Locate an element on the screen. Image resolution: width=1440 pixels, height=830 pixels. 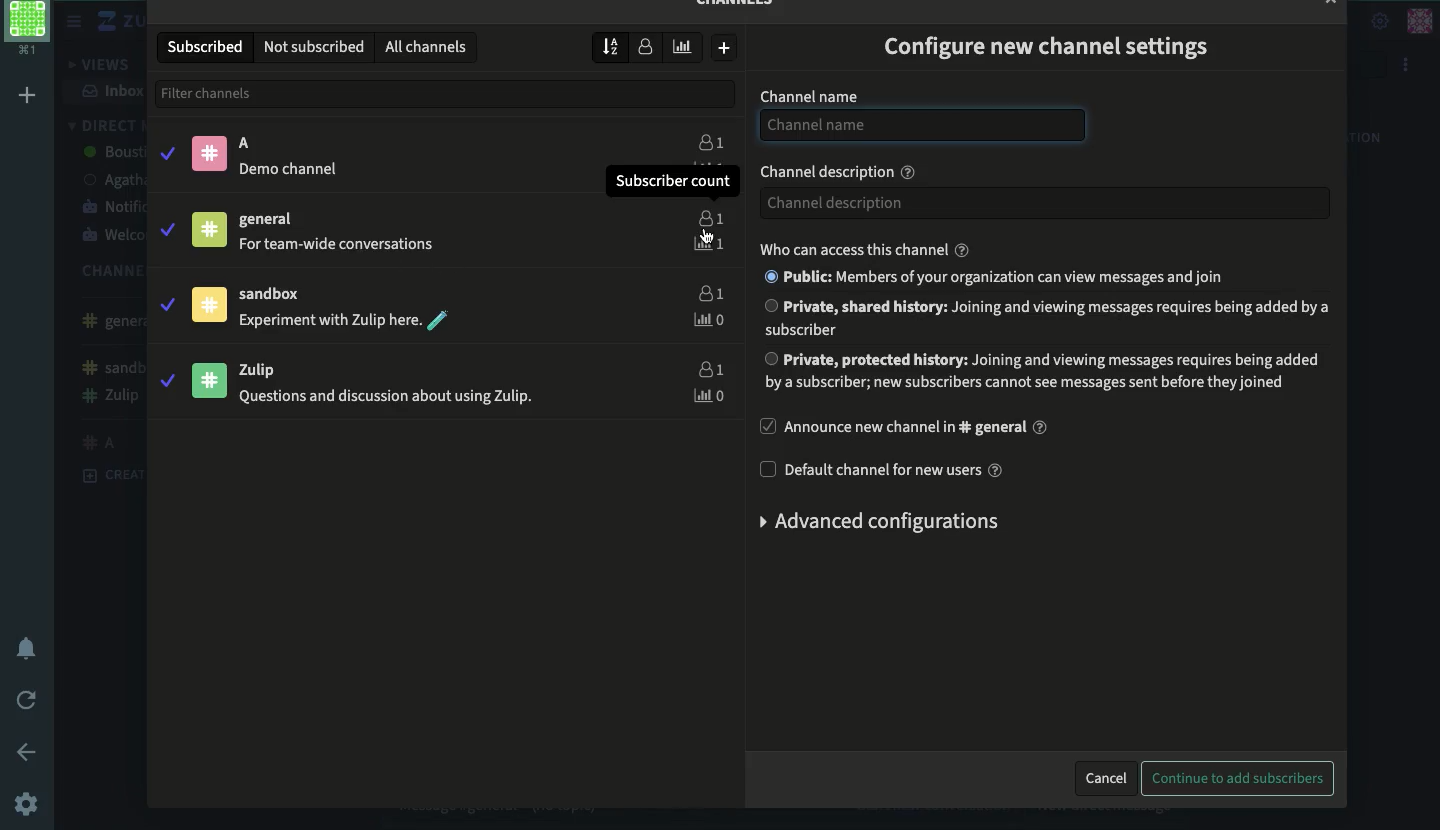
continue to add subscribers is located at coordinates (1235, 777).